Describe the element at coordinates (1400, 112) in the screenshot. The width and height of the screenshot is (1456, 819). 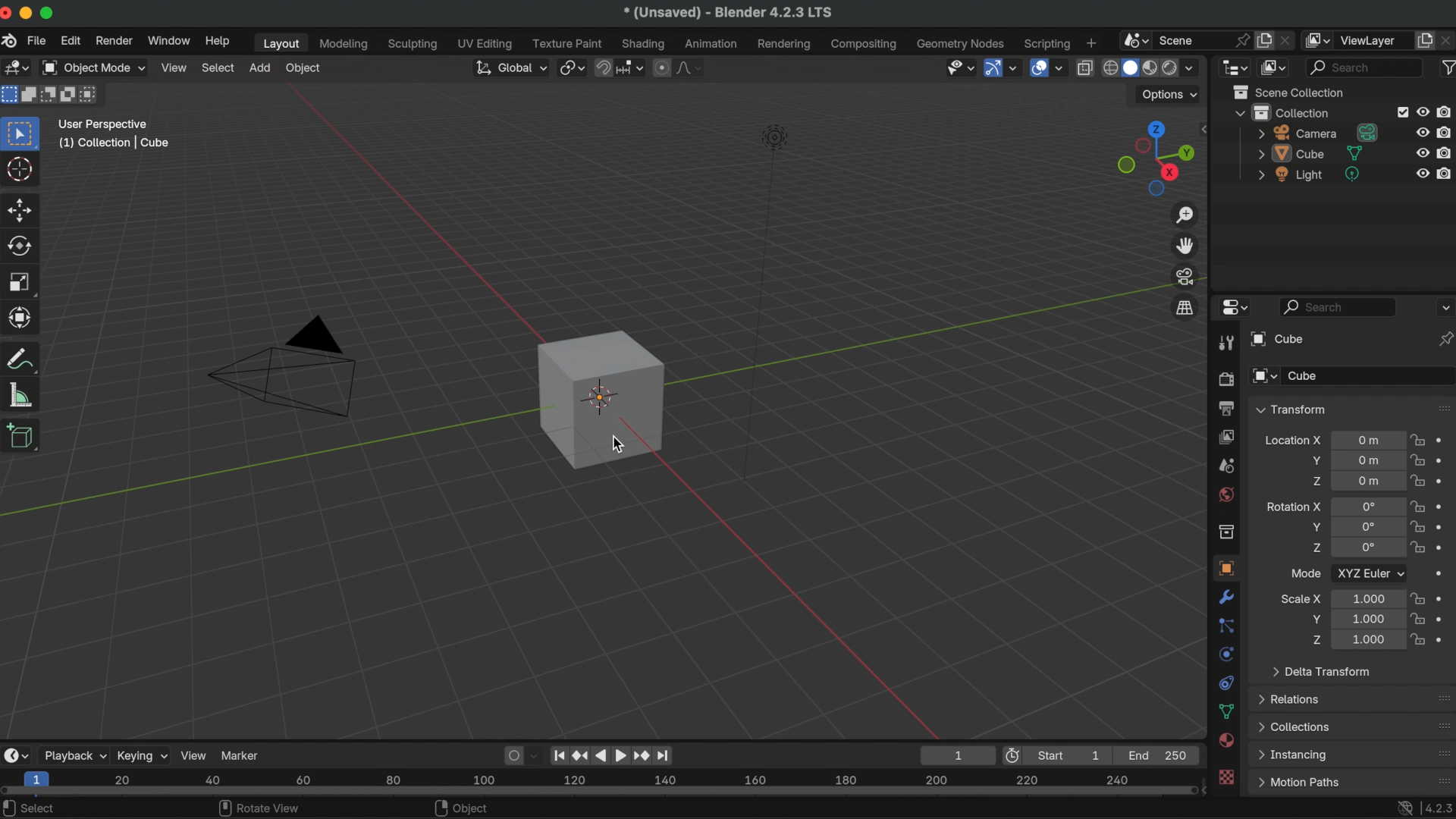
I see `checkbox` at that location.